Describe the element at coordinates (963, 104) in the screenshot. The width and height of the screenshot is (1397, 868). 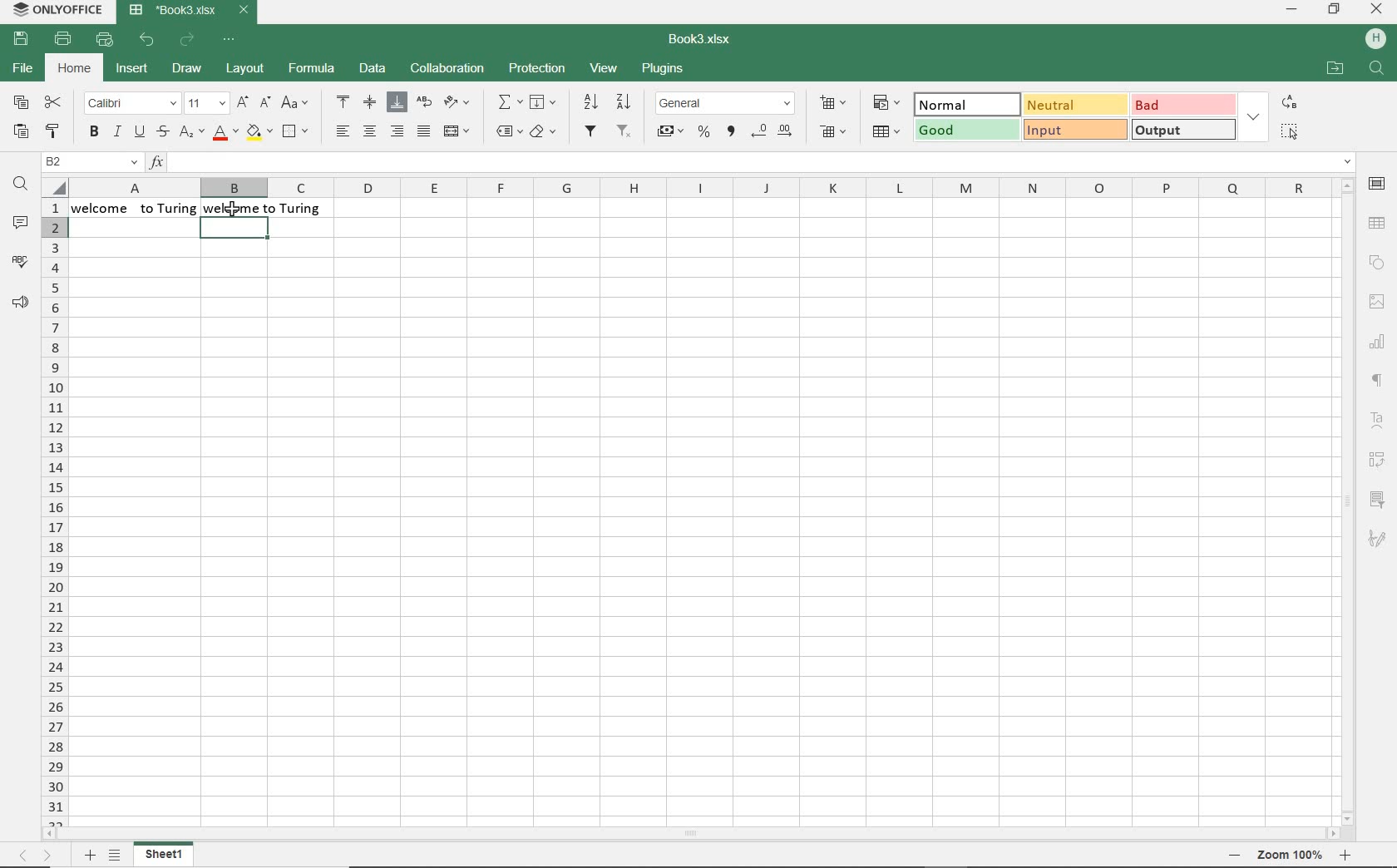
I see `normal` at that location.